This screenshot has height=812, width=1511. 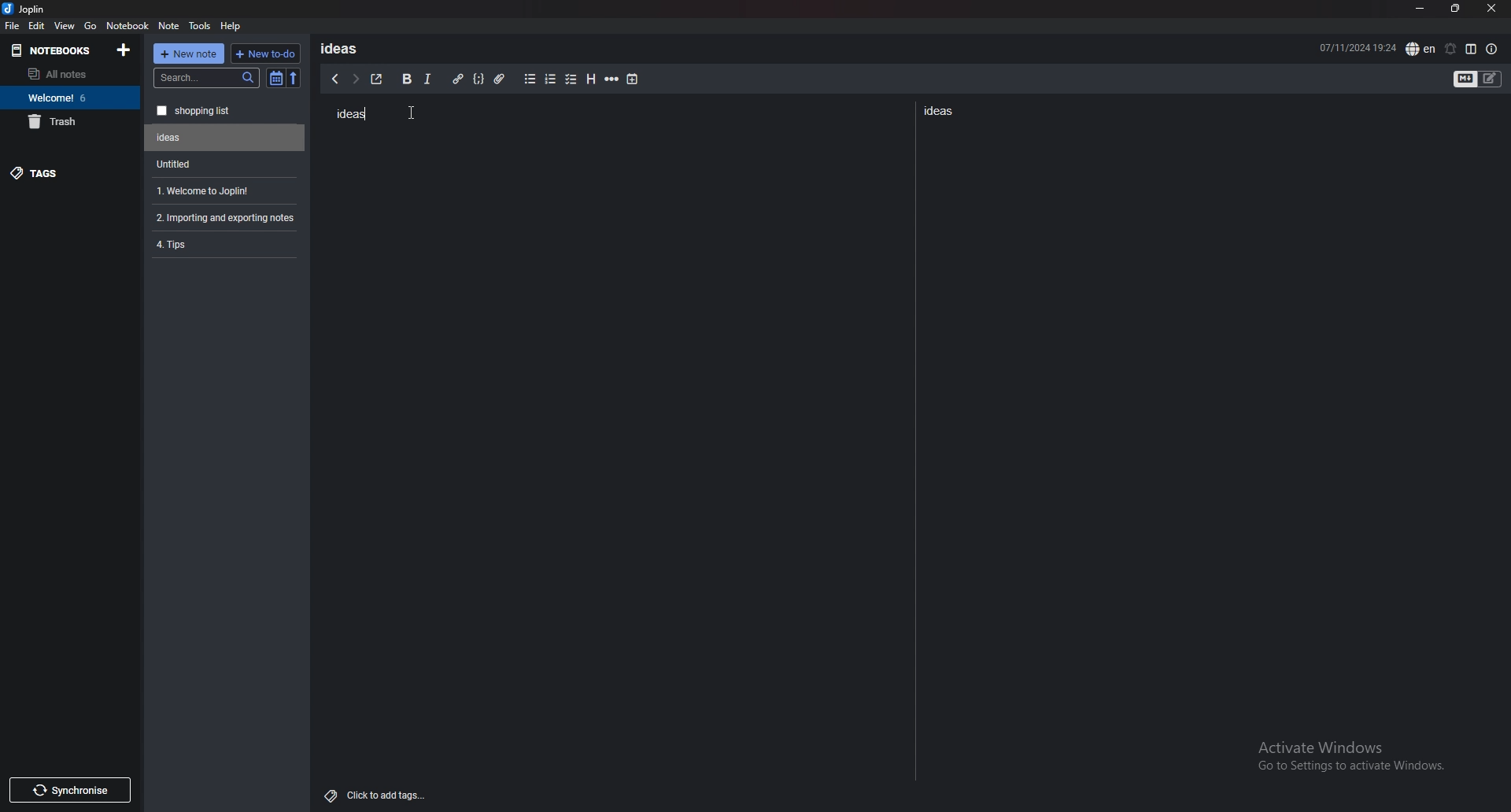 I want to click on checkbox, so click(x=571, y=80).